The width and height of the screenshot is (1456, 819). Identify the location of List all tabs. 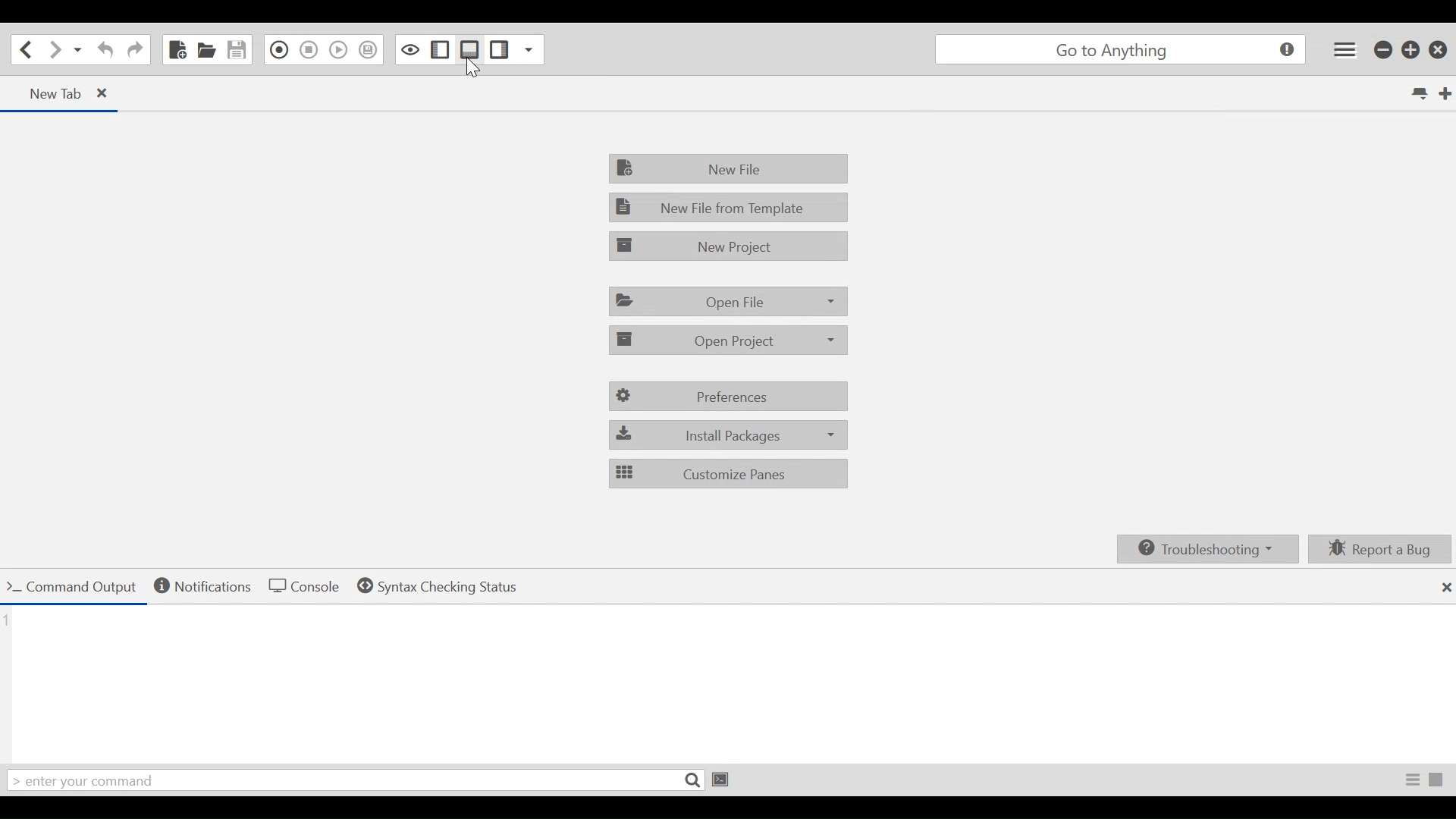
(1418, 94).